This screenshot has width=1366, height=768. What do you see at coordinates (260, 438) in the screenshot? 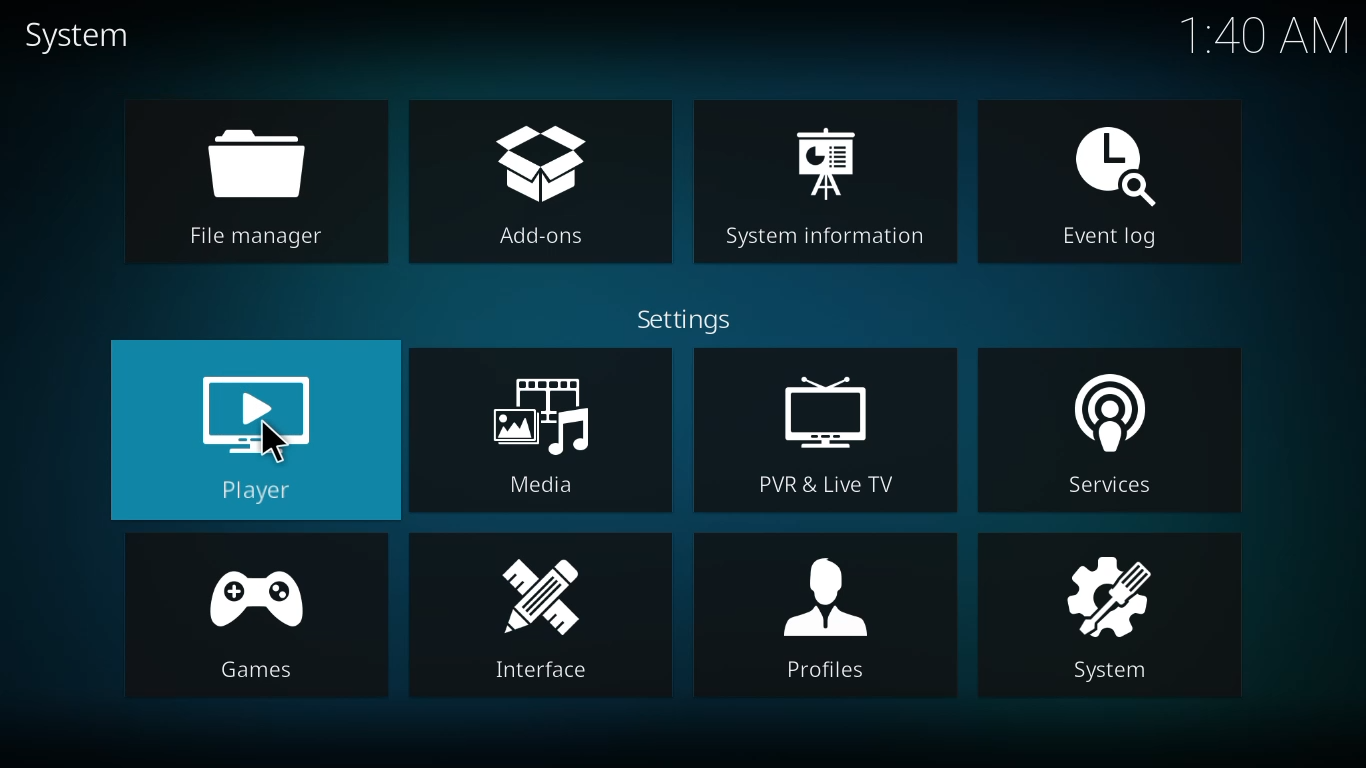
I see `player` at bounding box center [260, 438].